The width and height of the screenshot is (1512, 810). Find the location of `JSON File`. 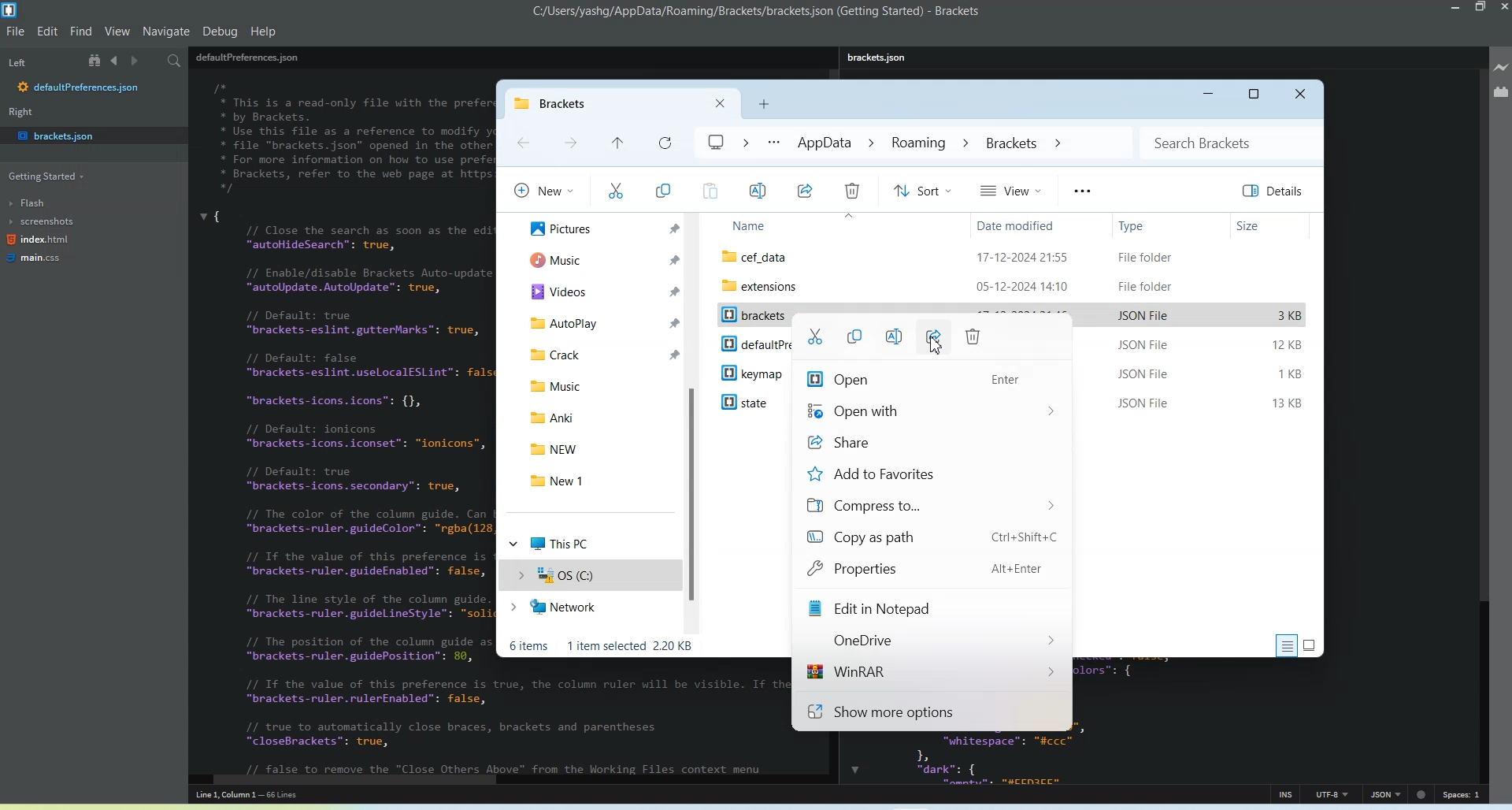

JSON File is located at coordinates (1144, 347).